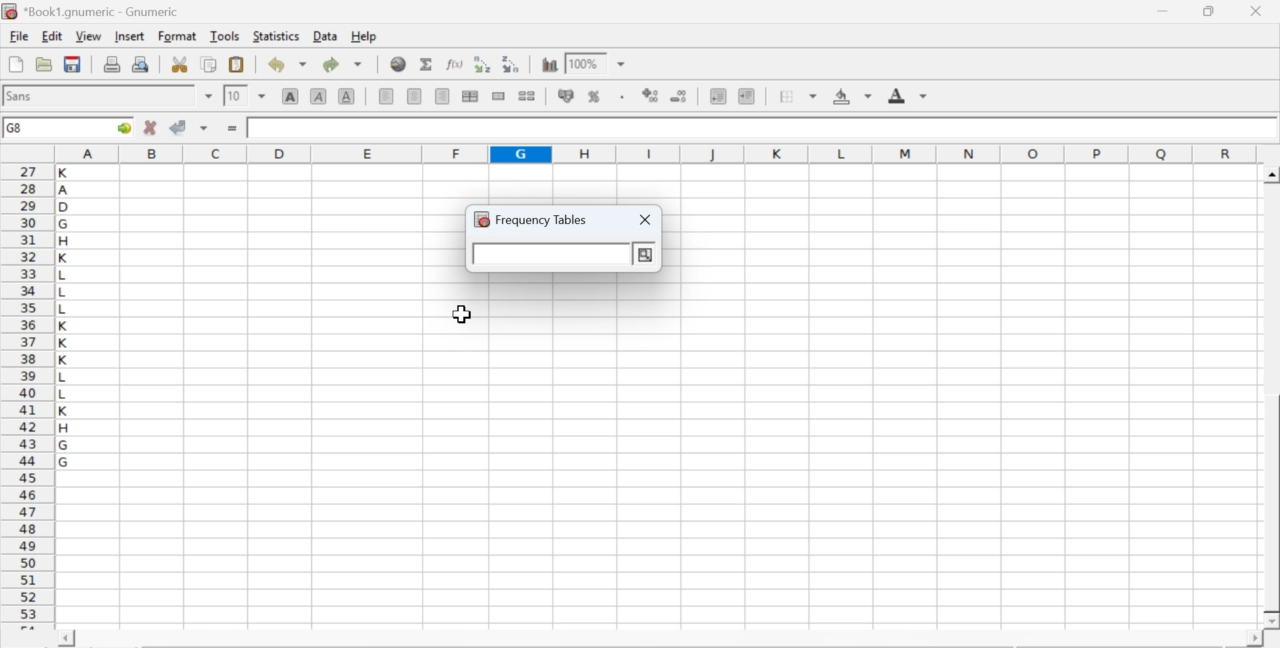 Image resolution: width=1280 pixels, height=648 pixels. What do you see at coordinates (1254, 11) in the screenshot?
I see `close` at bounding box center [1254, 11].